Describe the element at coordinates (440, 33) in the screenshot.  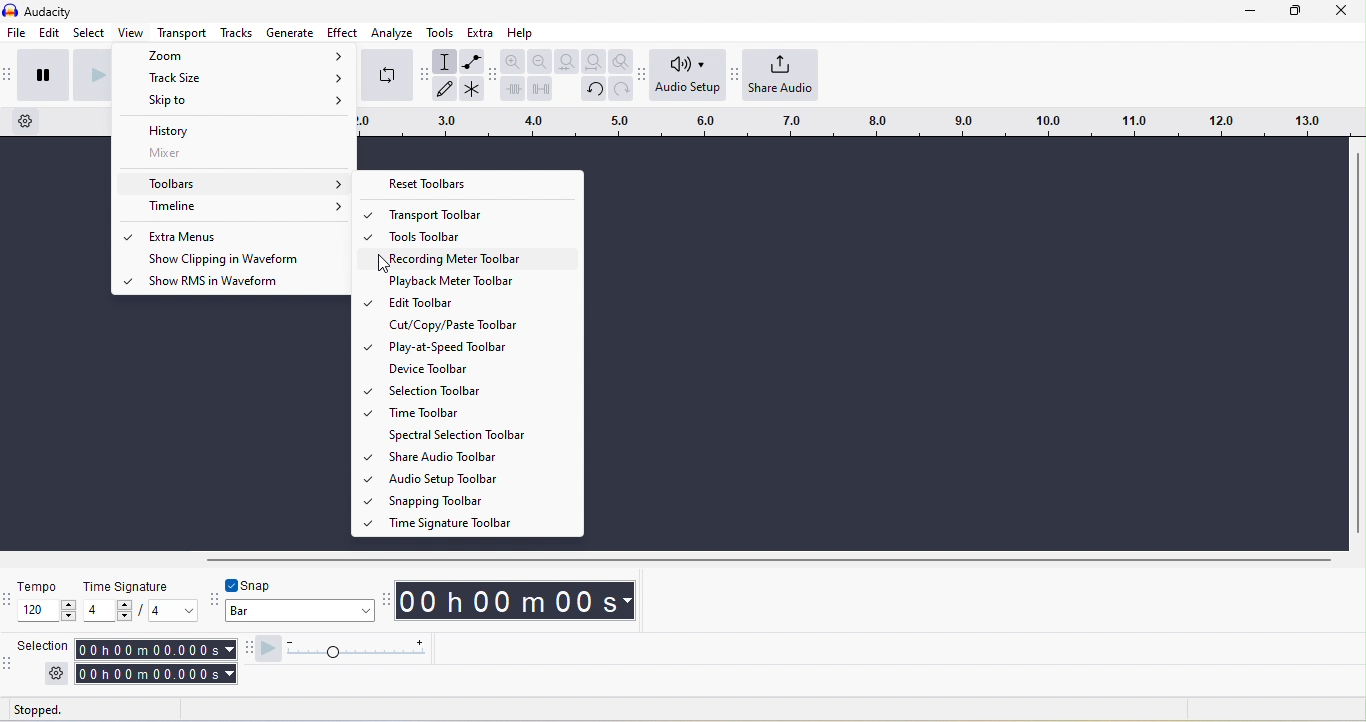
I see `tools` at that location.